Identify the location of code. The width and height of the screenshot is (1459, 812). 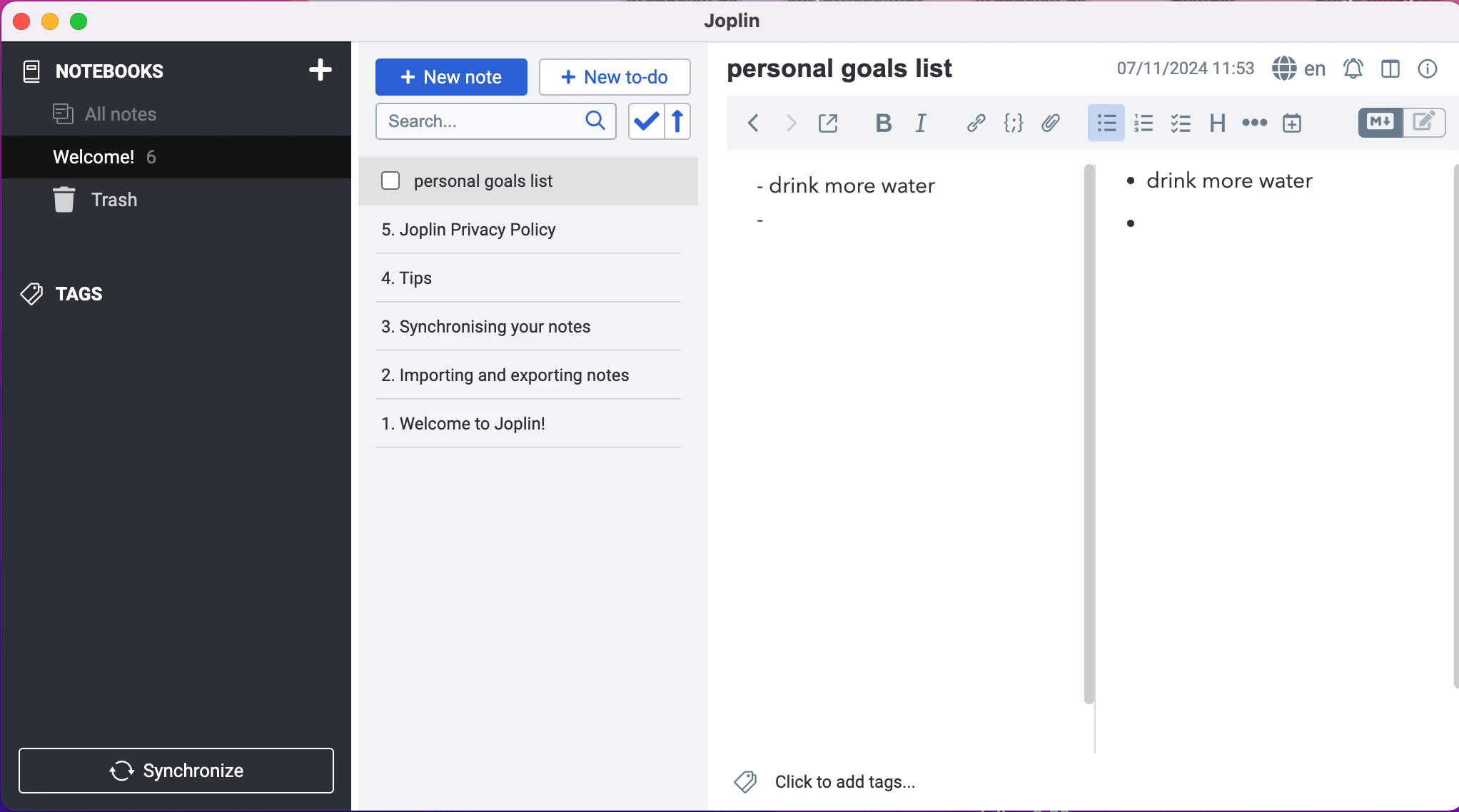
(1011, 124).